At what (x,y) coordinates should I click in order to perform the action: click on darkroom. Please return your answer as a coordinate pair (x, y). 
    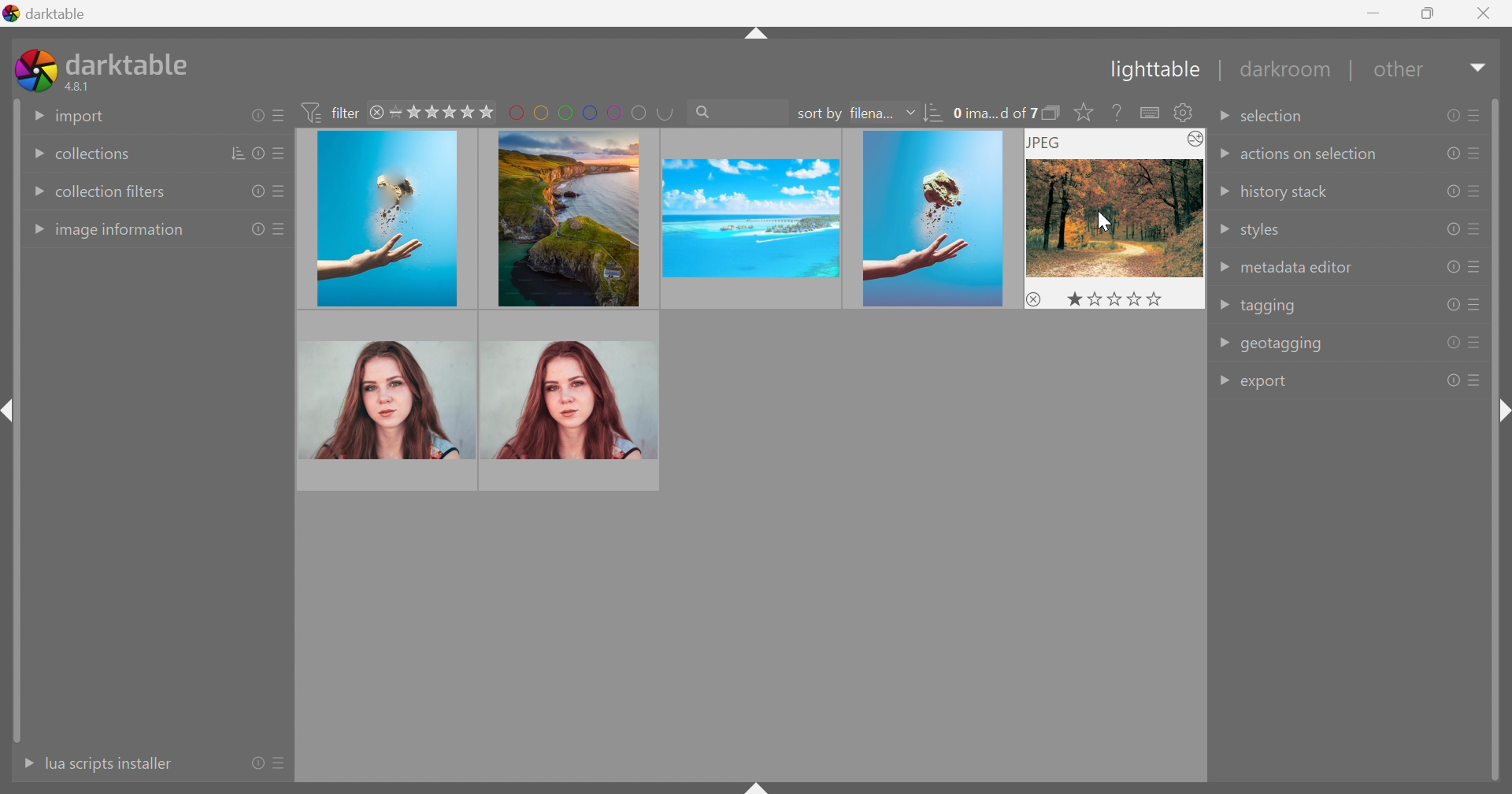
    Looking at the image, I should click on (1288, 70).